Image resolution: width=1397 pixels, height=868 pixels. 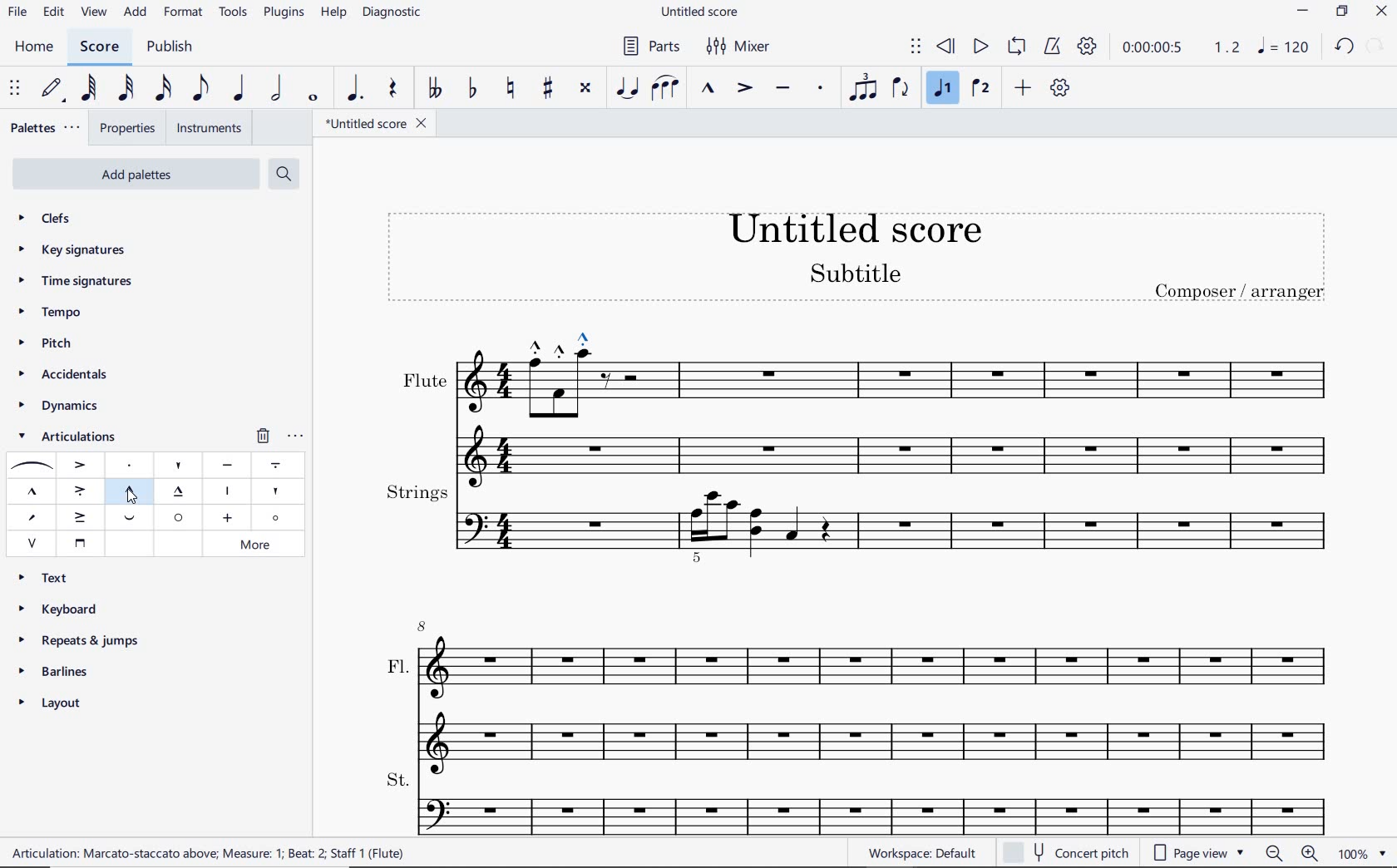 I want to click on HELP, so click(x=333, y=14).